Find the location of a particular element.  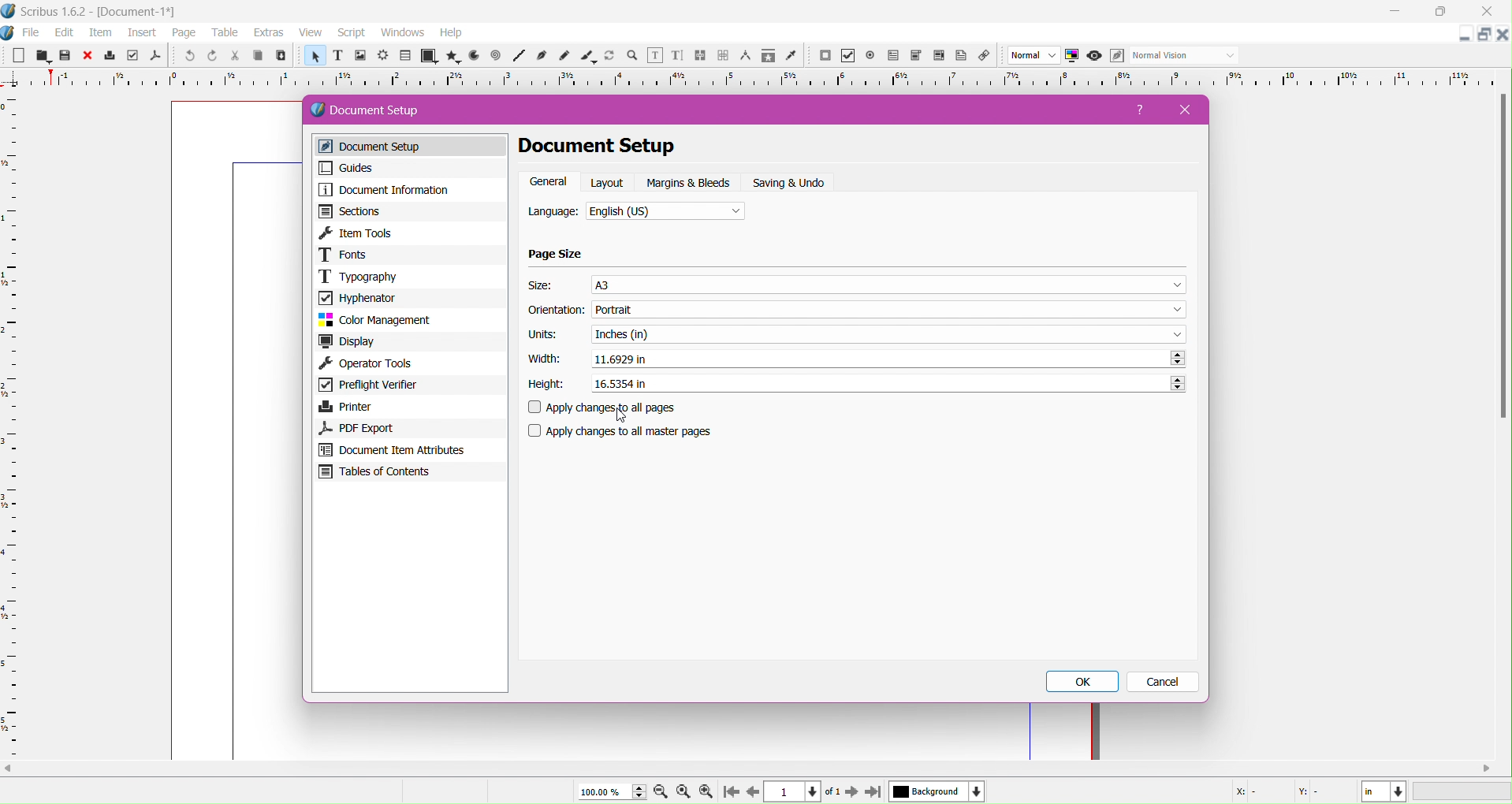

pdf list box is located at coordinates (940, 57).